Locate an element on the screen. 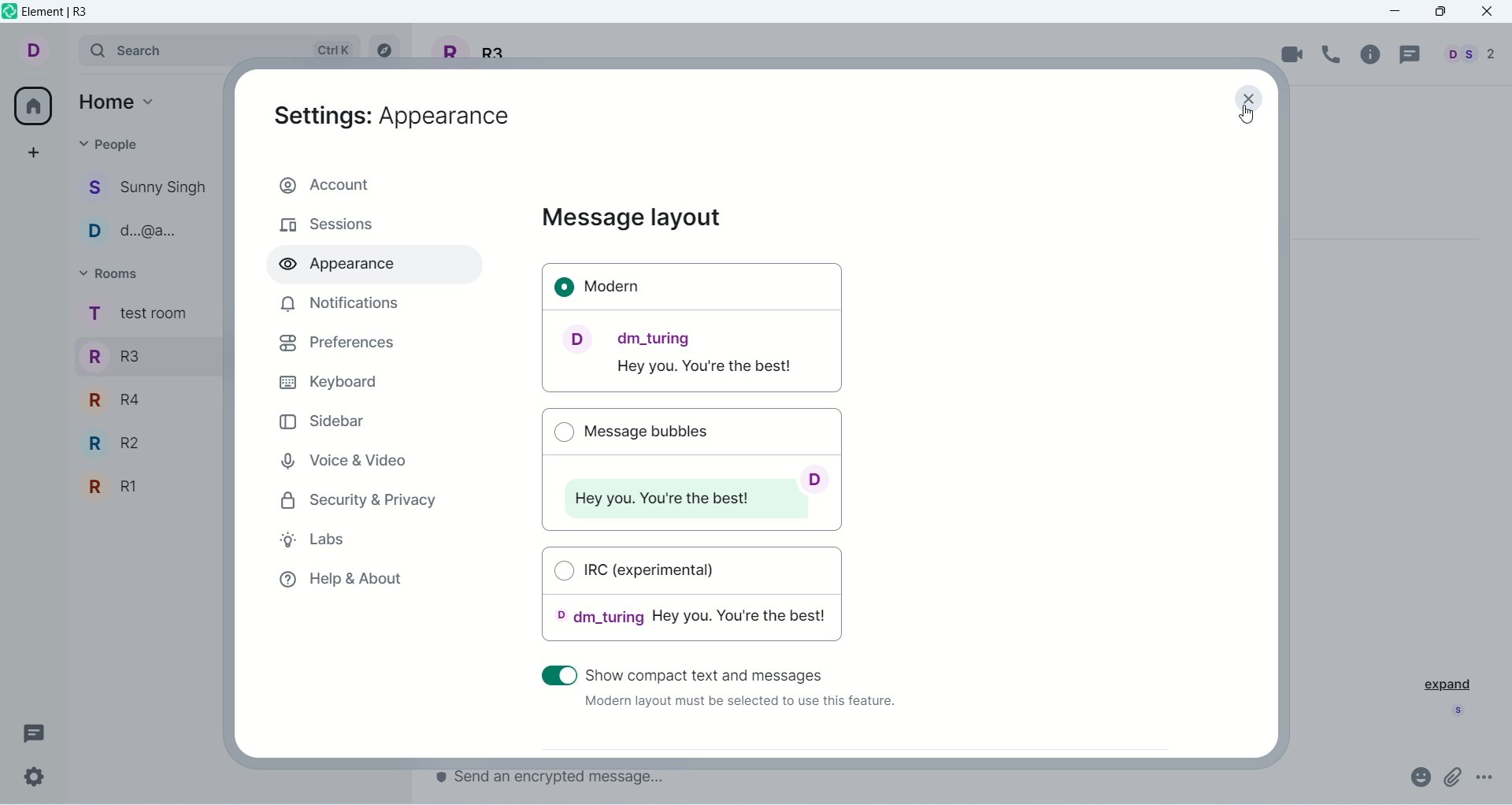 This screenshot has width=1512, height=805. security and privacy is located at coordinates (360, 502).